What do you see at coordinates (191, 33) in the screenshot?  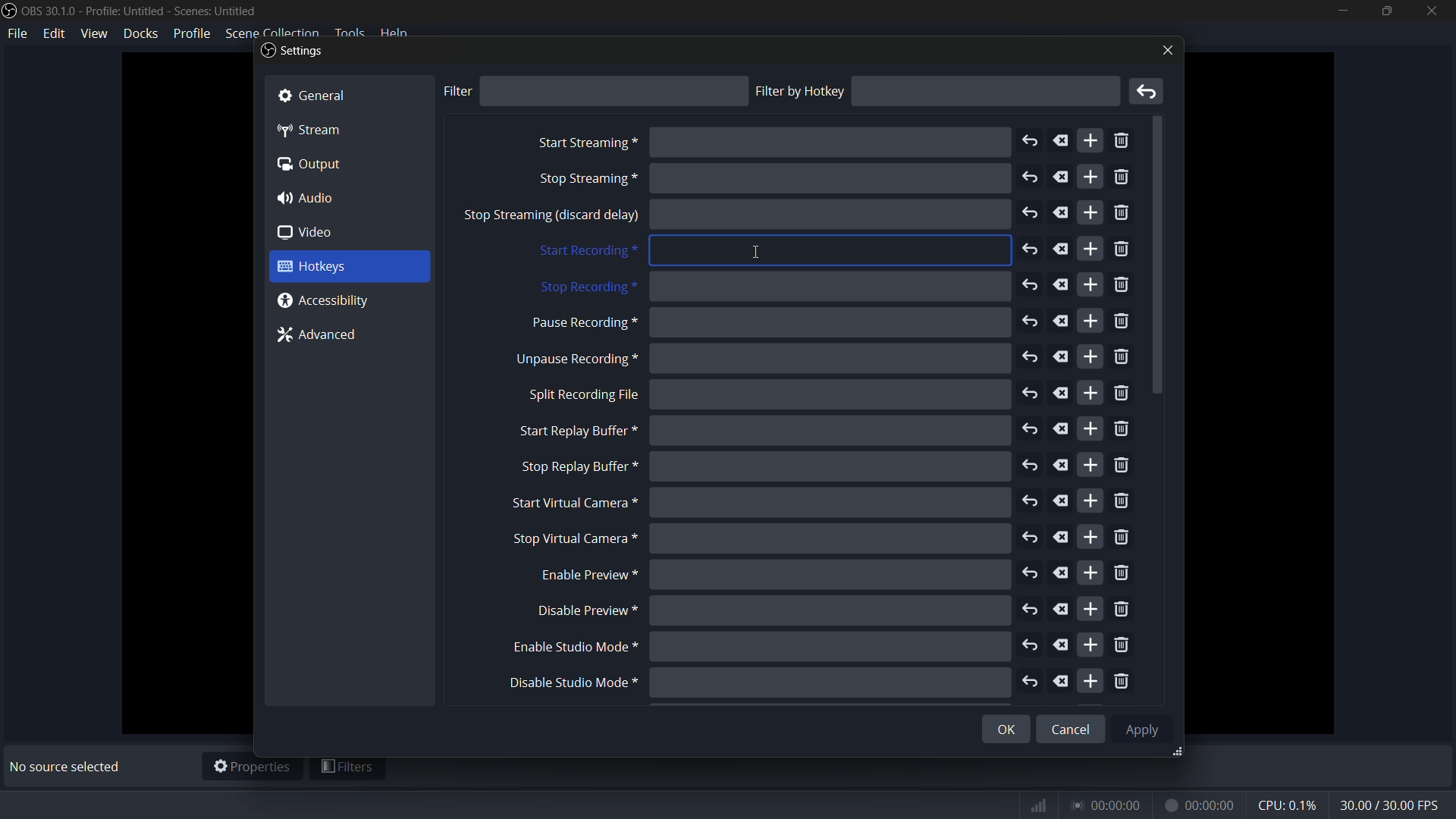 I see `profile menu` at bounding box center [191, 33].